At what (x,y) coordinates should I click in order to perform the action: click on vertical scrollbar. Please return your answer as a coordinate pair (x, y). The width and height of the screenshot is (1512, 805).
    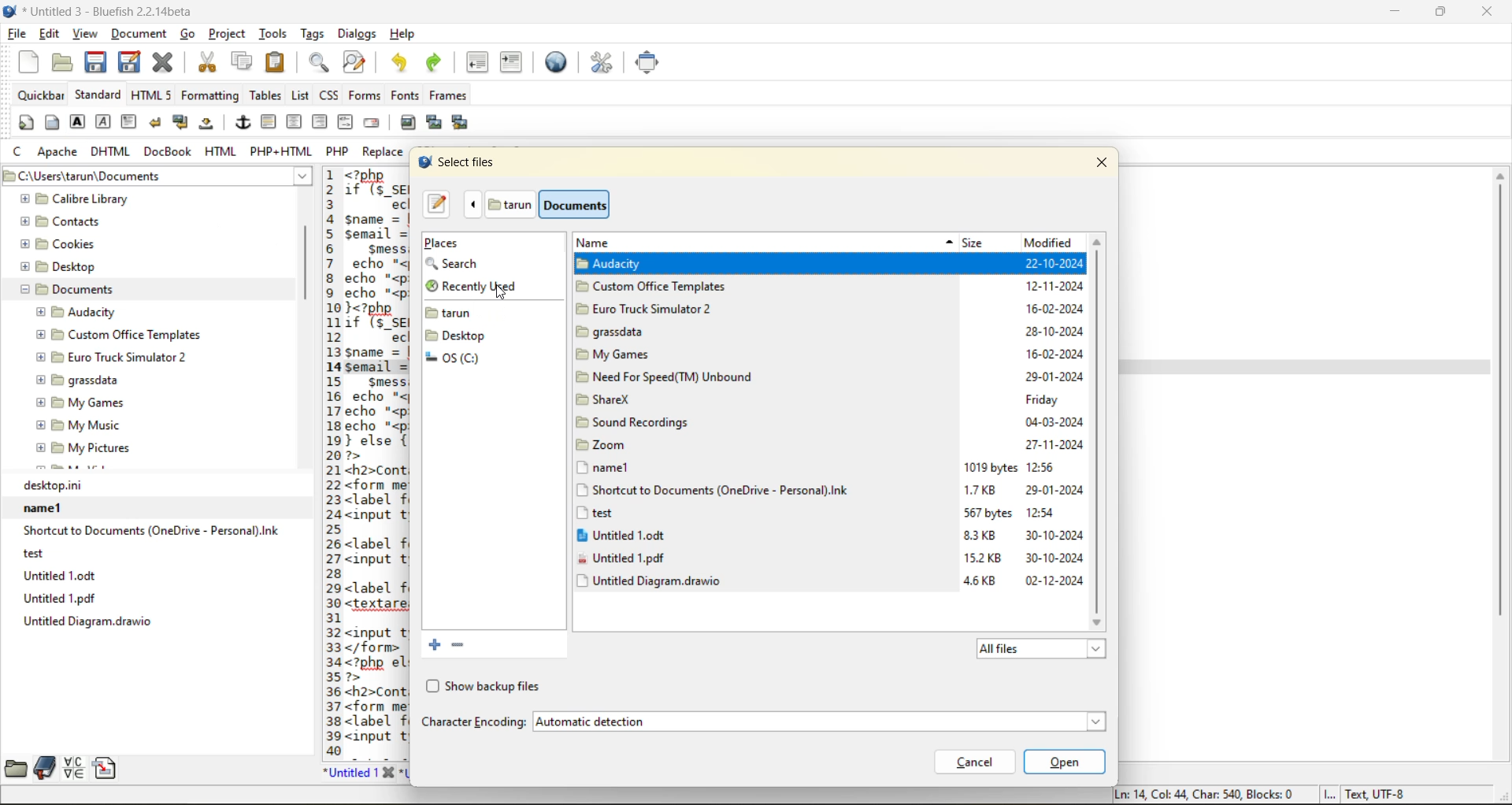
    Looking at the image, I should click on (1102, 430).